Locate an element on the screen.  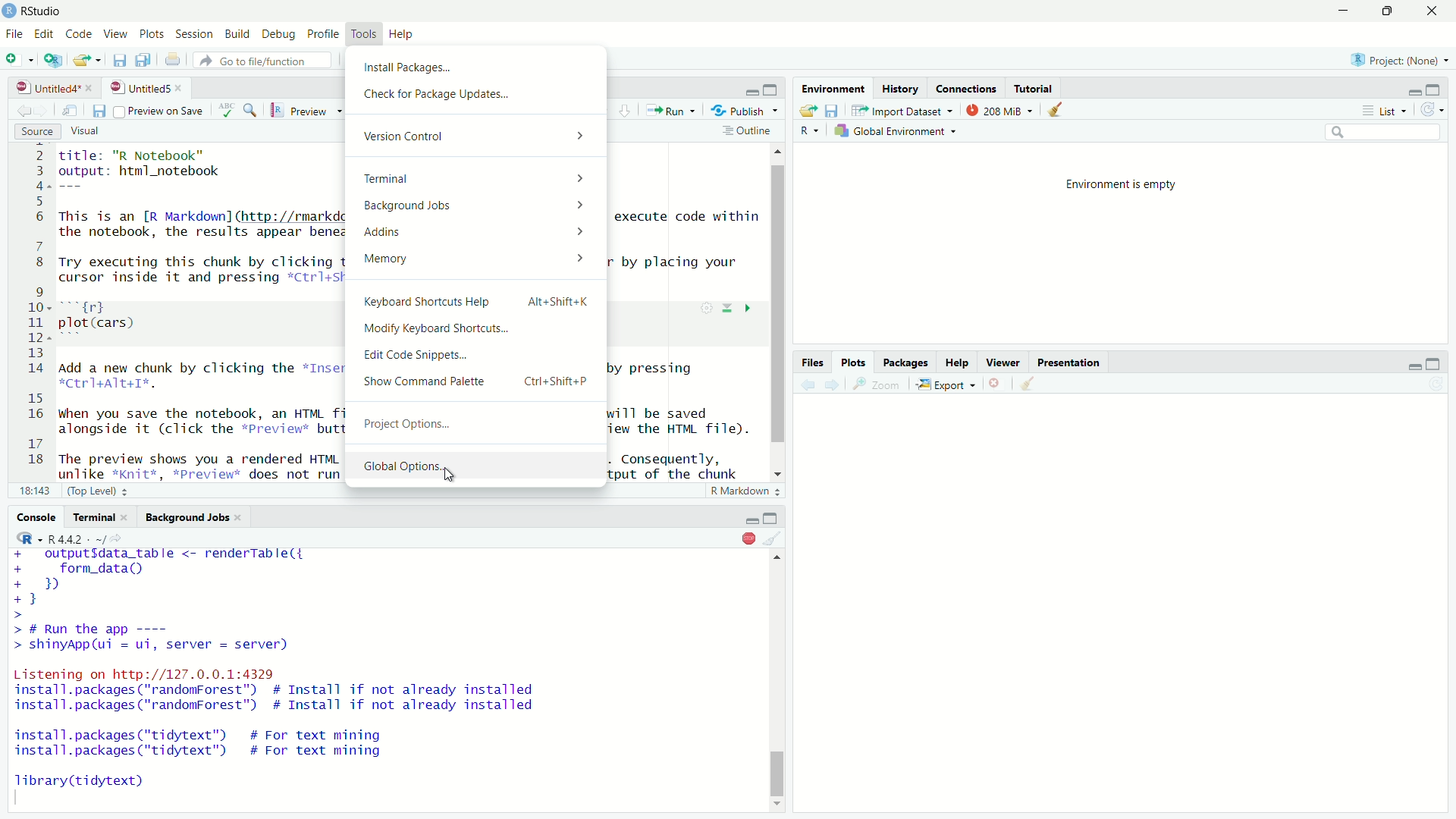
clear object is located at coordinates (1053, 110).